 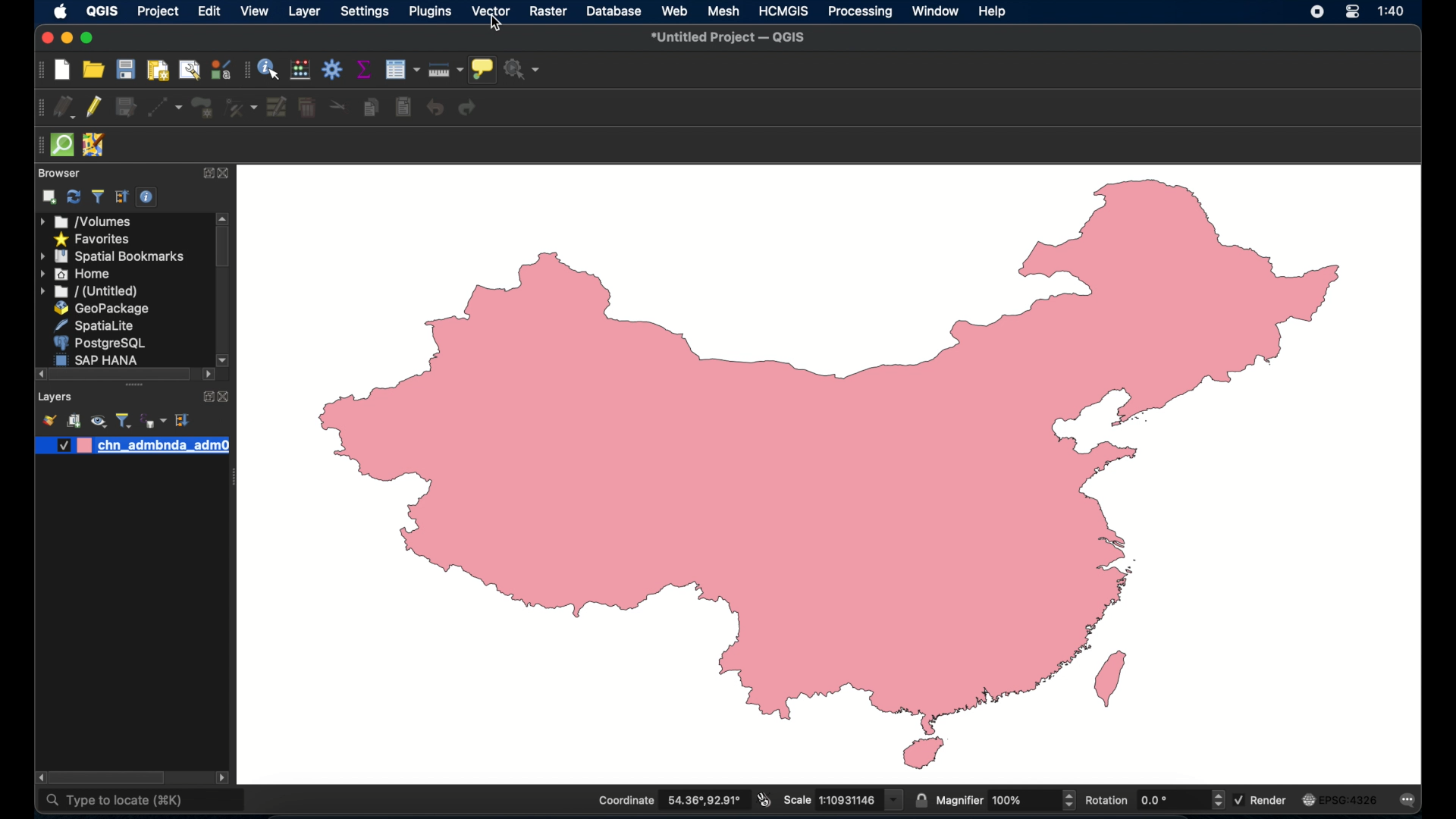 I want to click on magnifier, so click(x=1006, y=799).